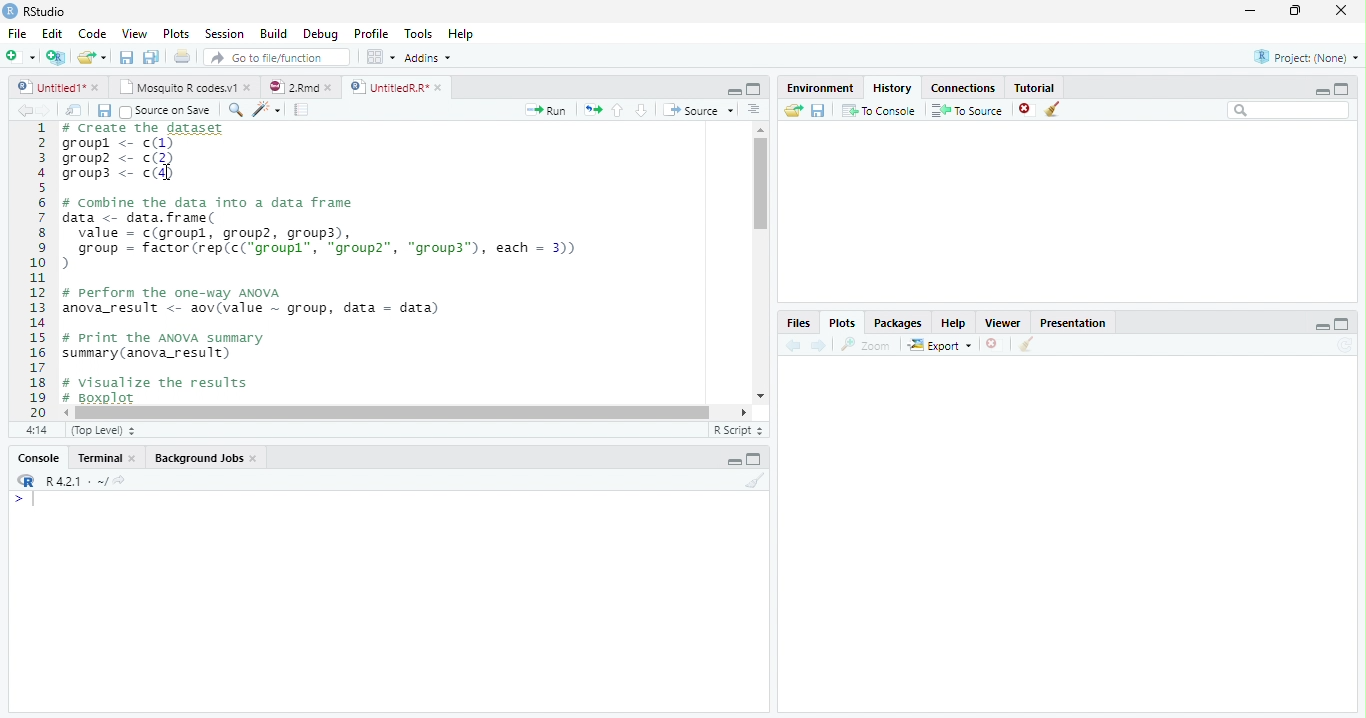 This screenshot has width=1366, height=718. Describe the element at coordinates (797, 323) in the screenshot. I see `Files` at that location.